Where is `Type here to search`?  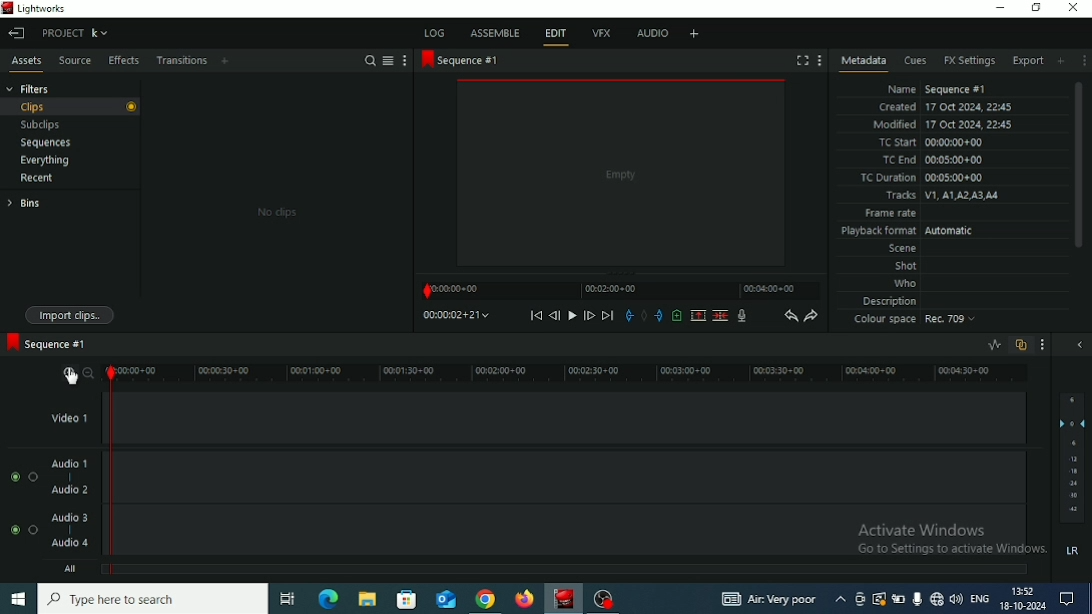
Type here to search is located at coordinates (153, 598).